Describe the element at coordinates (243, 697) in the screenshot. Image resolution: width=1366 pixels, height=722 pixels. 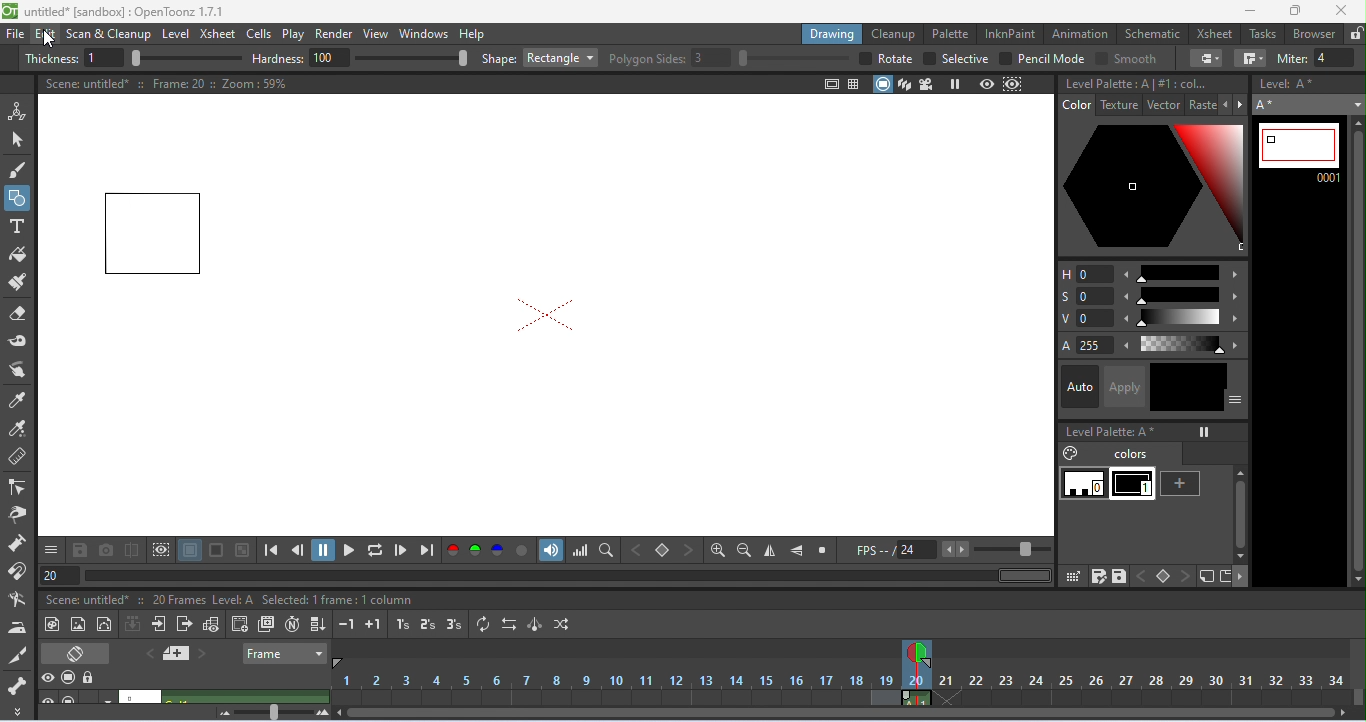
I see `click to select column` at that location.